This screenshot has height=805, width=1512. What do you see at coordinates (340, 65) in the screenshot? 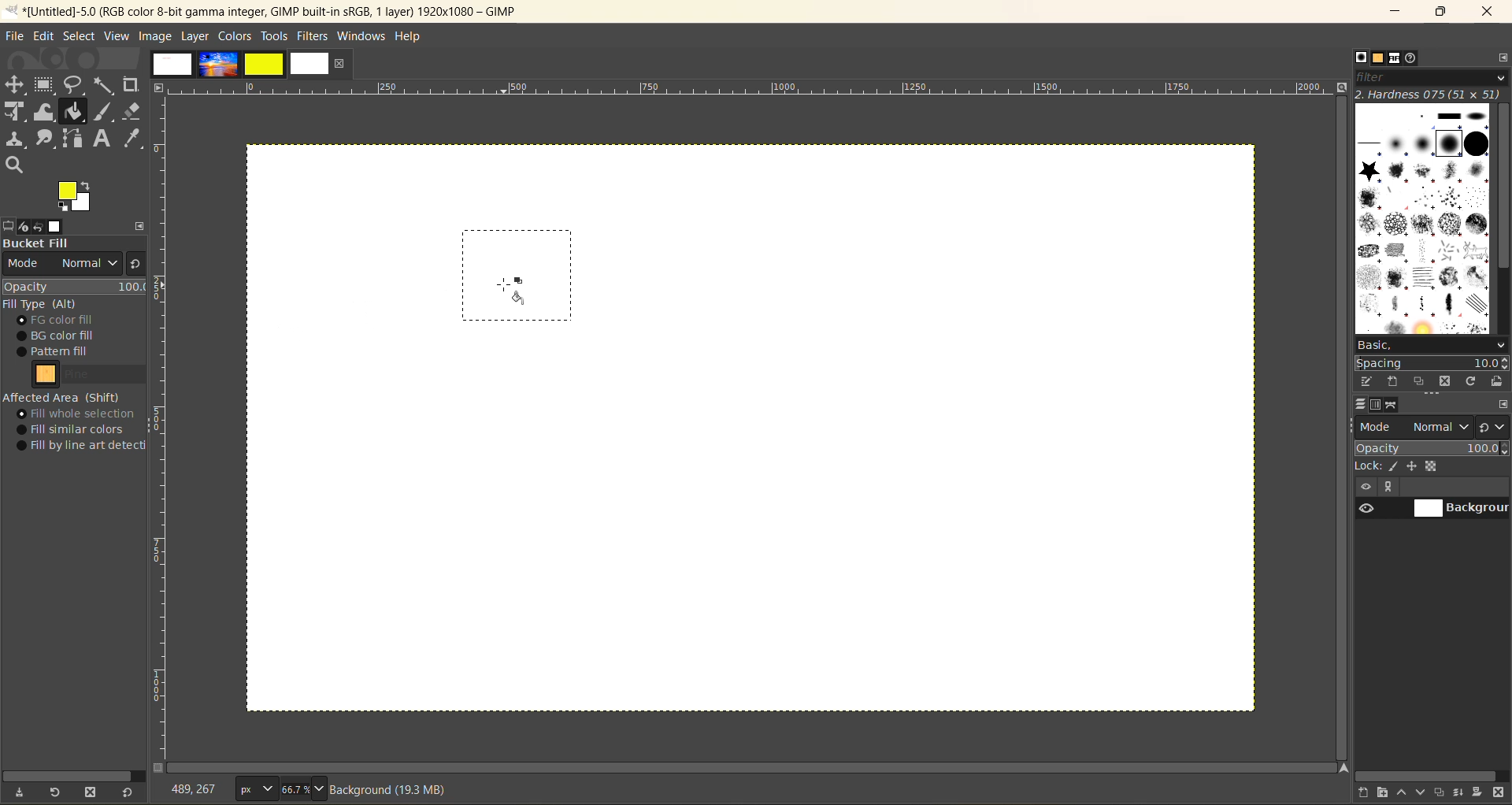
I see `close` at bounding box center [340, 65].